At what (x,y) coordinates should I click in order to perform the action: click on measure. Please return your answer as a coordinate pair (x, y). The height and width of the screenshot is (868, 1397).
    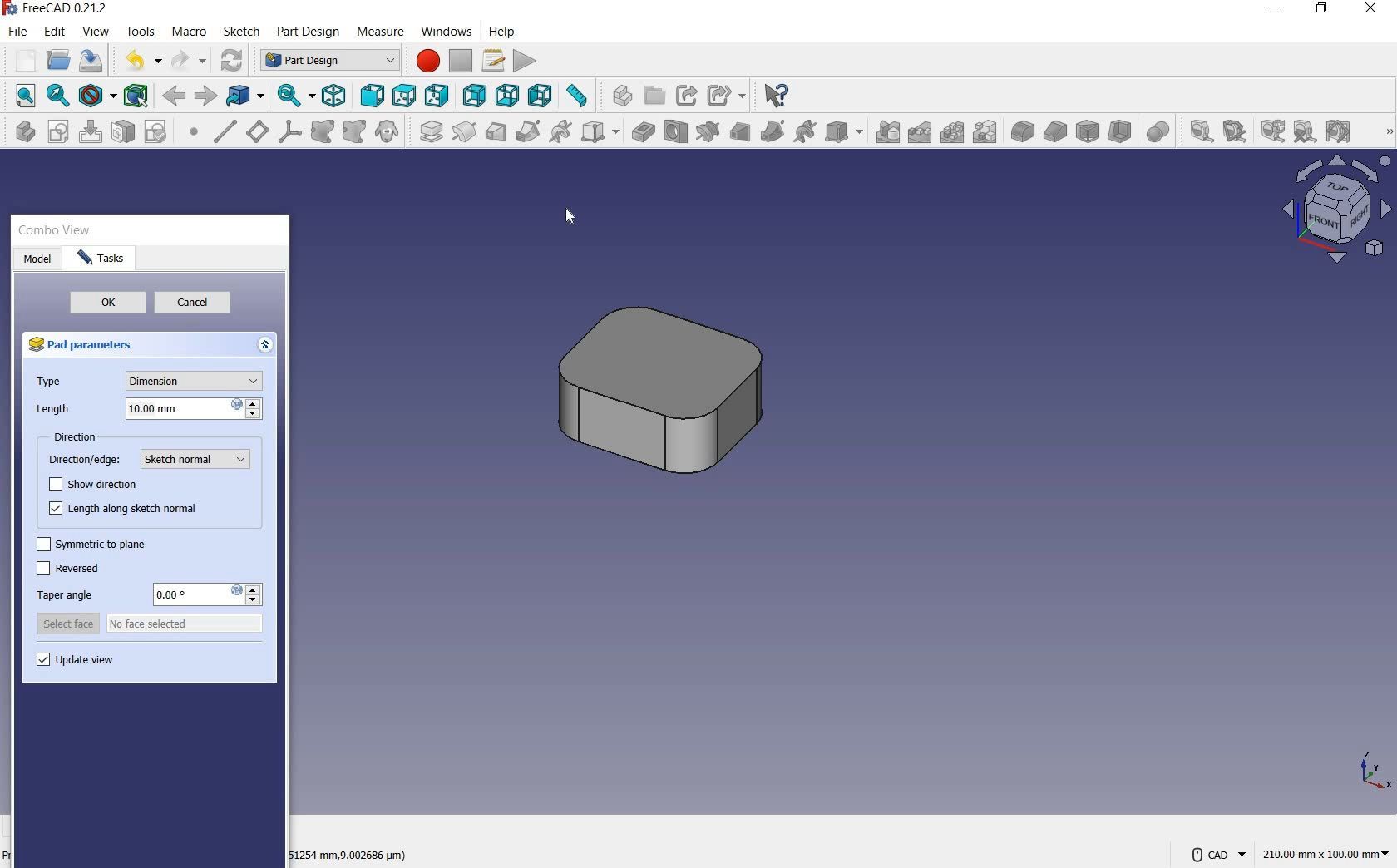
    Looking at the image, I should click on (1386, 132).